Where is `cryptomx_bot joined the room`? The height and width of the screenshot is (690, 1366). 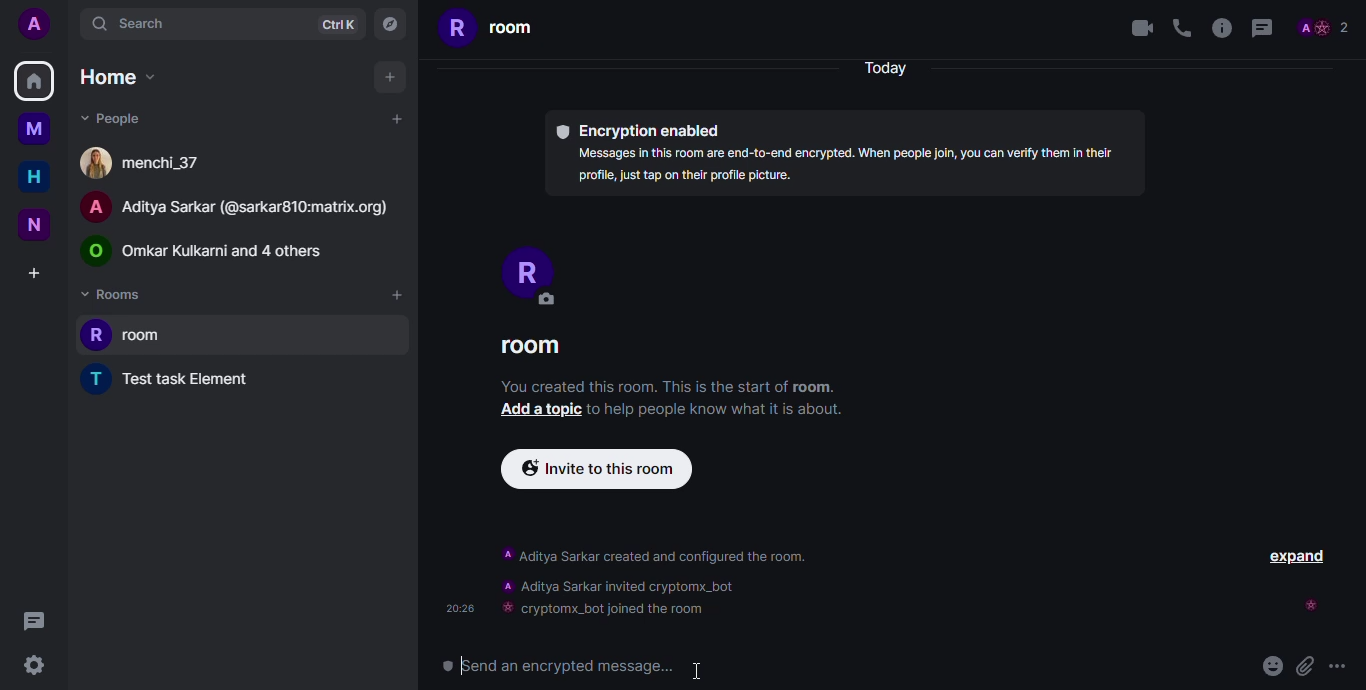
cryptomx_bot joined the room is located at coordinates (610, 610).